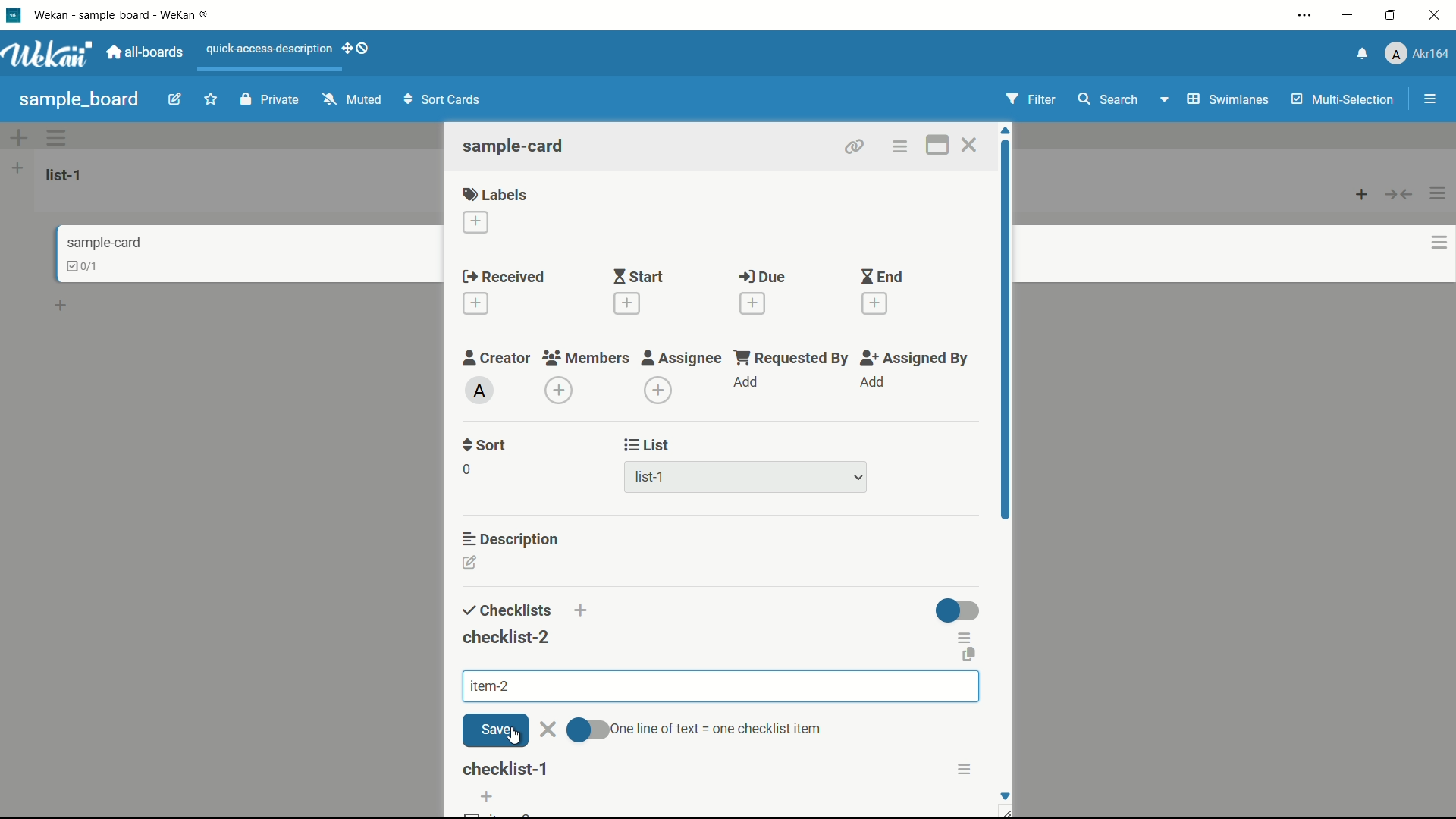  I want to click on admin, so click(480, 391).